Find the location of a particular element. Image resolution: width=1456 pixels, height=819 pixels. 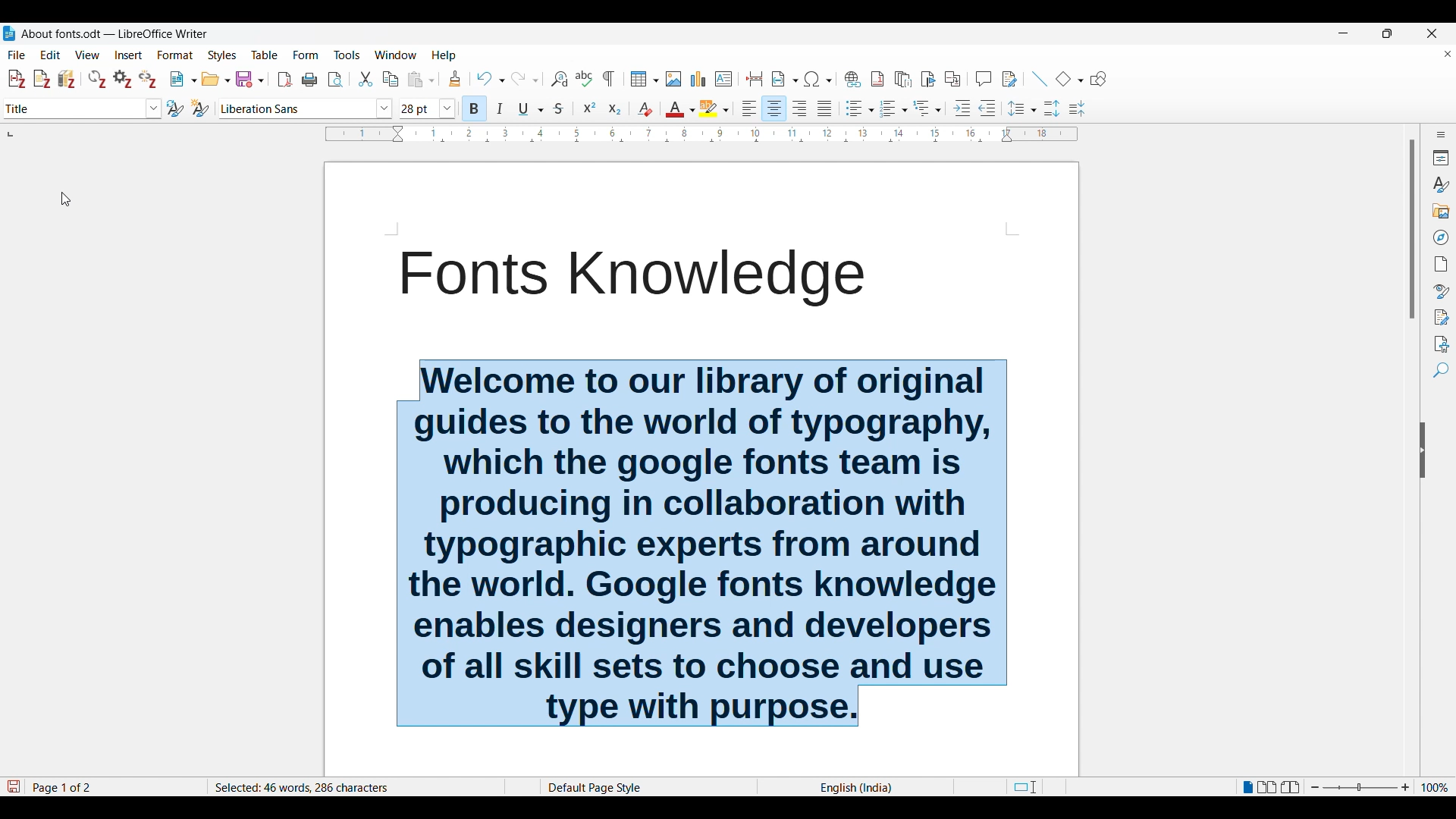

Refresh is located at coordinates (97, 79).